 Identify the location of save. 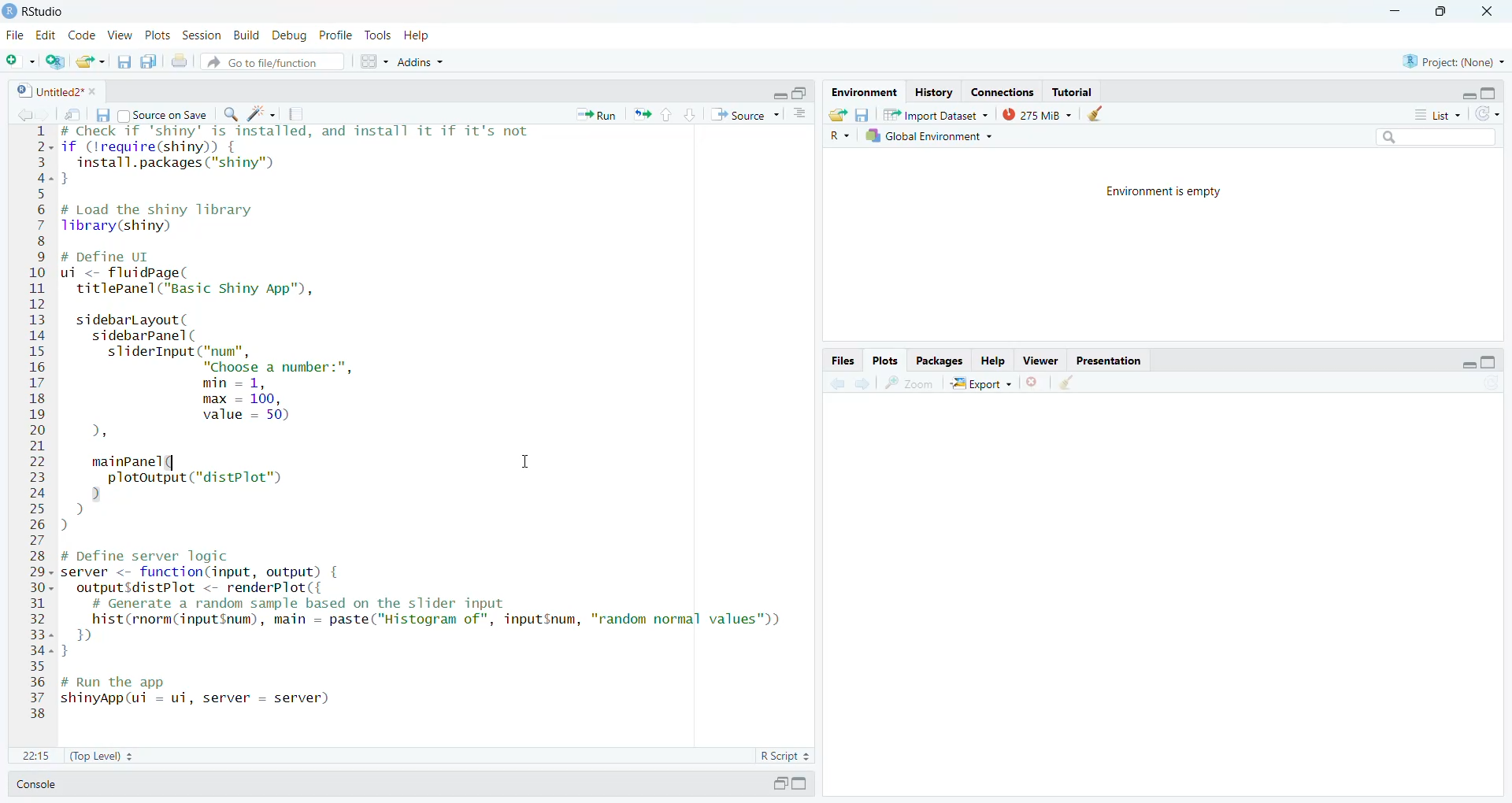
(124, 62).